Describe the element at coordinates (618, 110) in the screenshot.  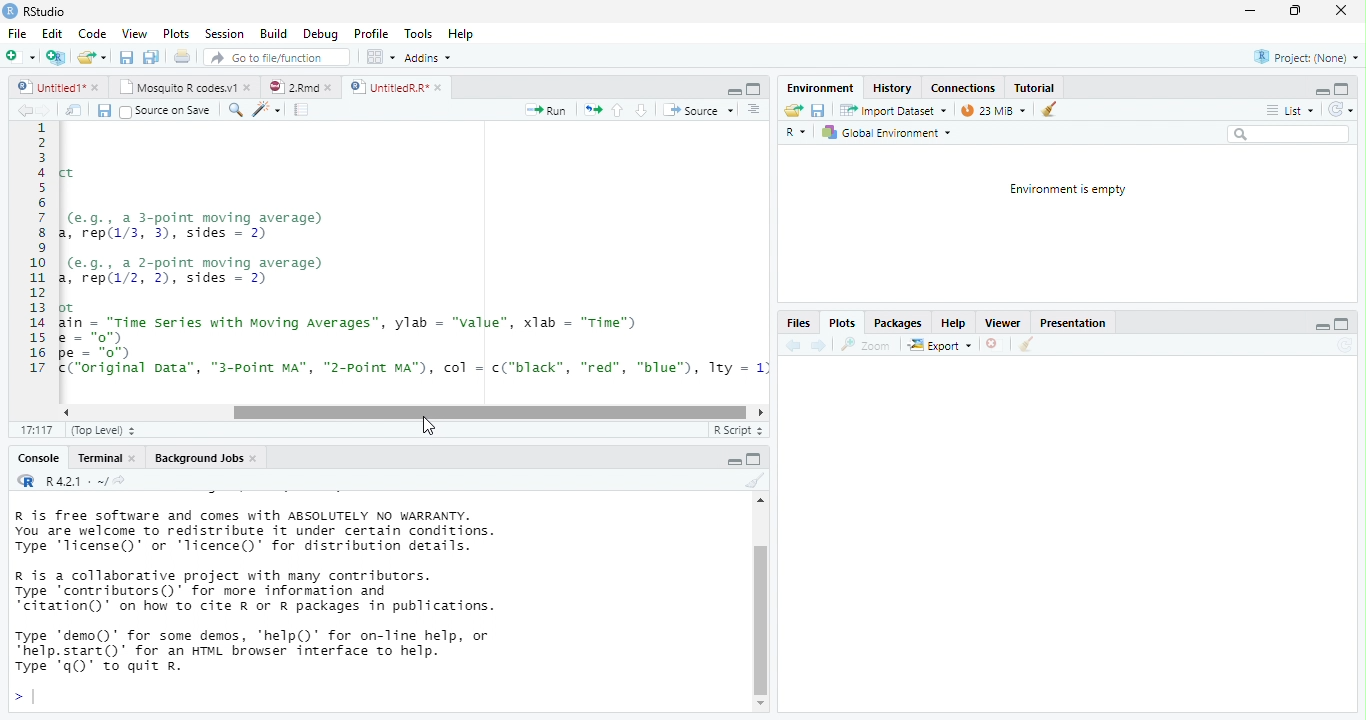
I see `up` at that location.